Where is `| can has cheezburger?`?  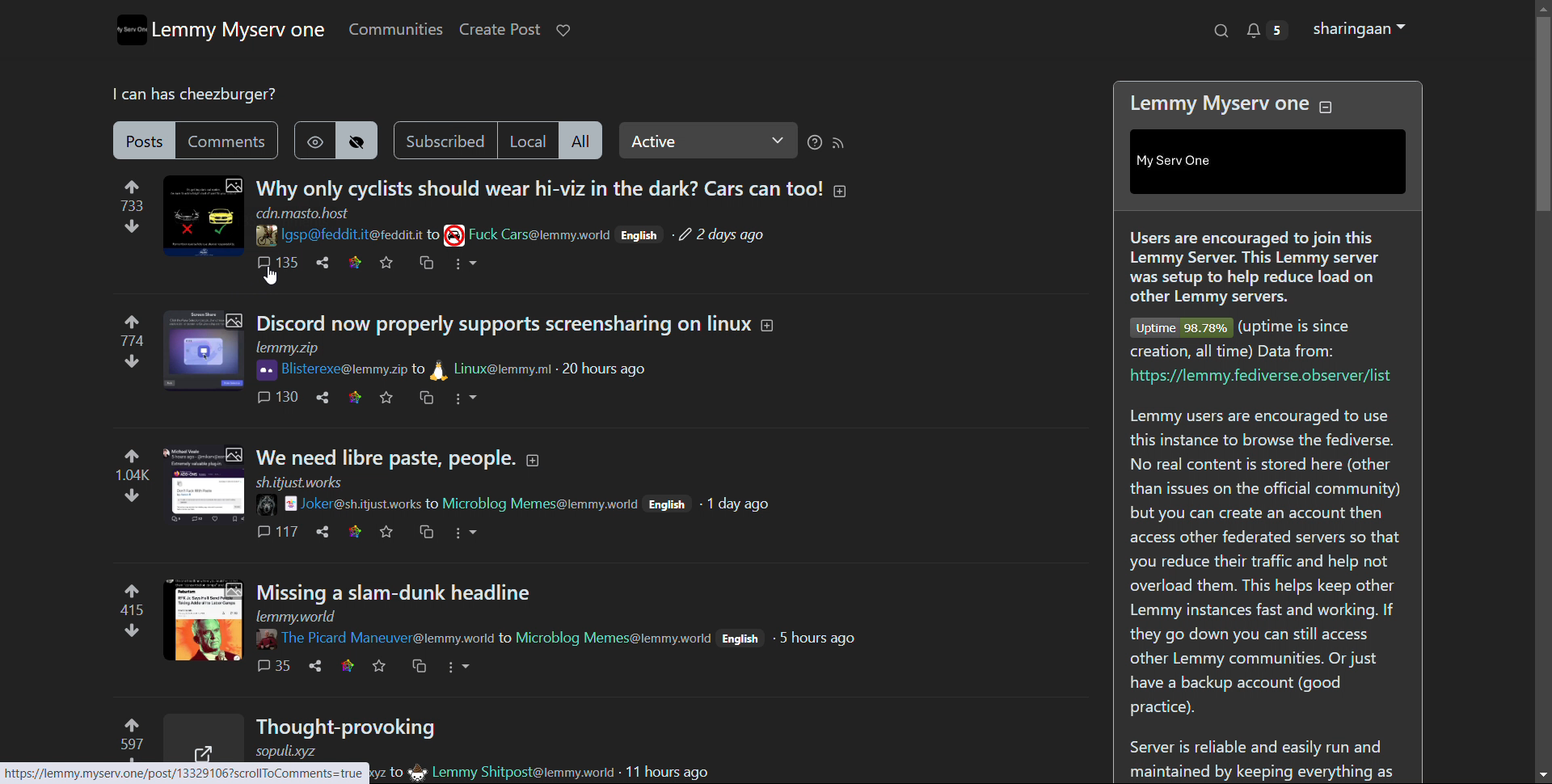
| can has cheezburger? is located at coordinates (191, 95).